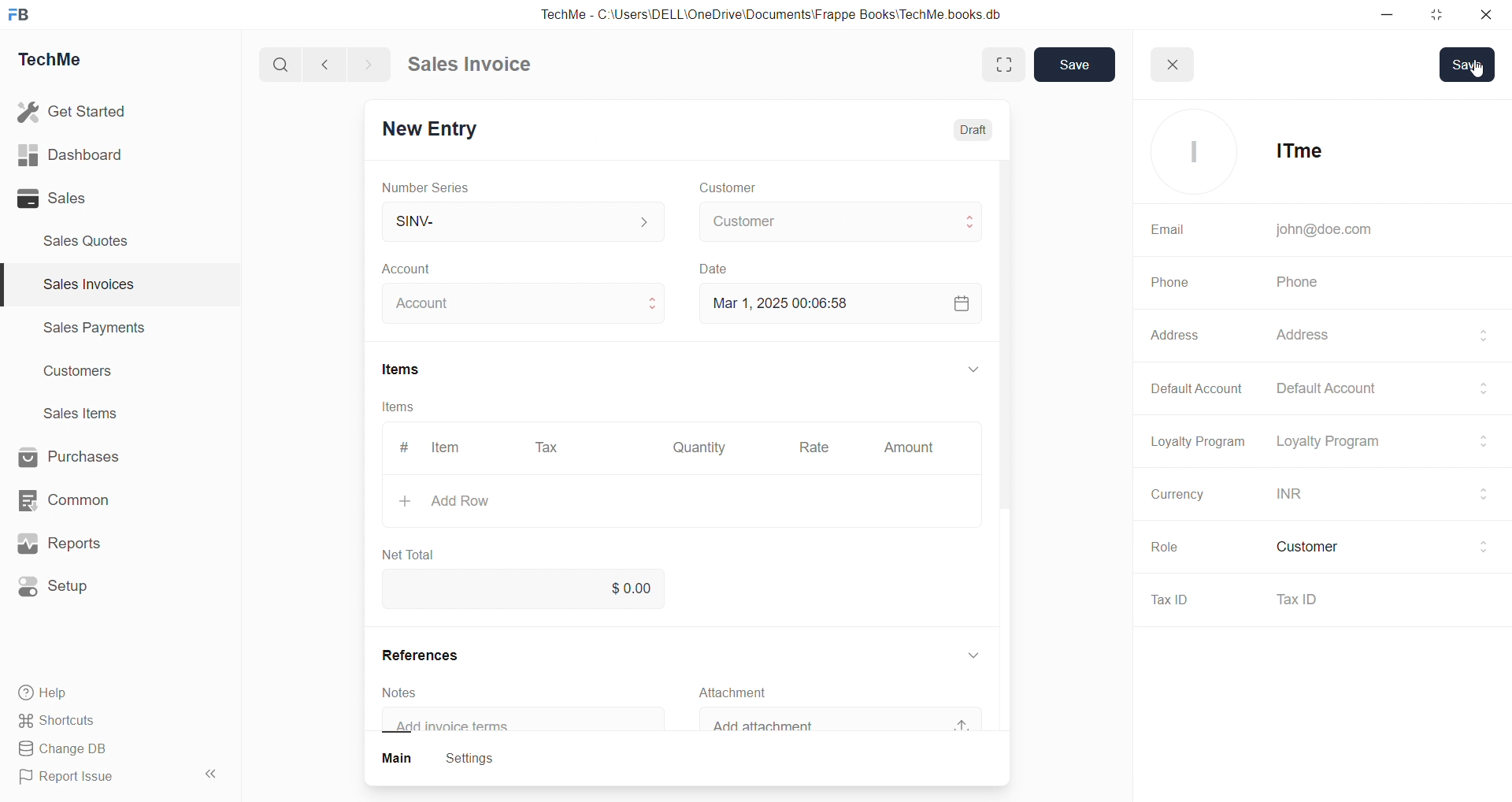 The image size is (1512, 802). What do you see at coordinates (395, 756) in the screenshot?
I see `` at bounding box center [395, 756].